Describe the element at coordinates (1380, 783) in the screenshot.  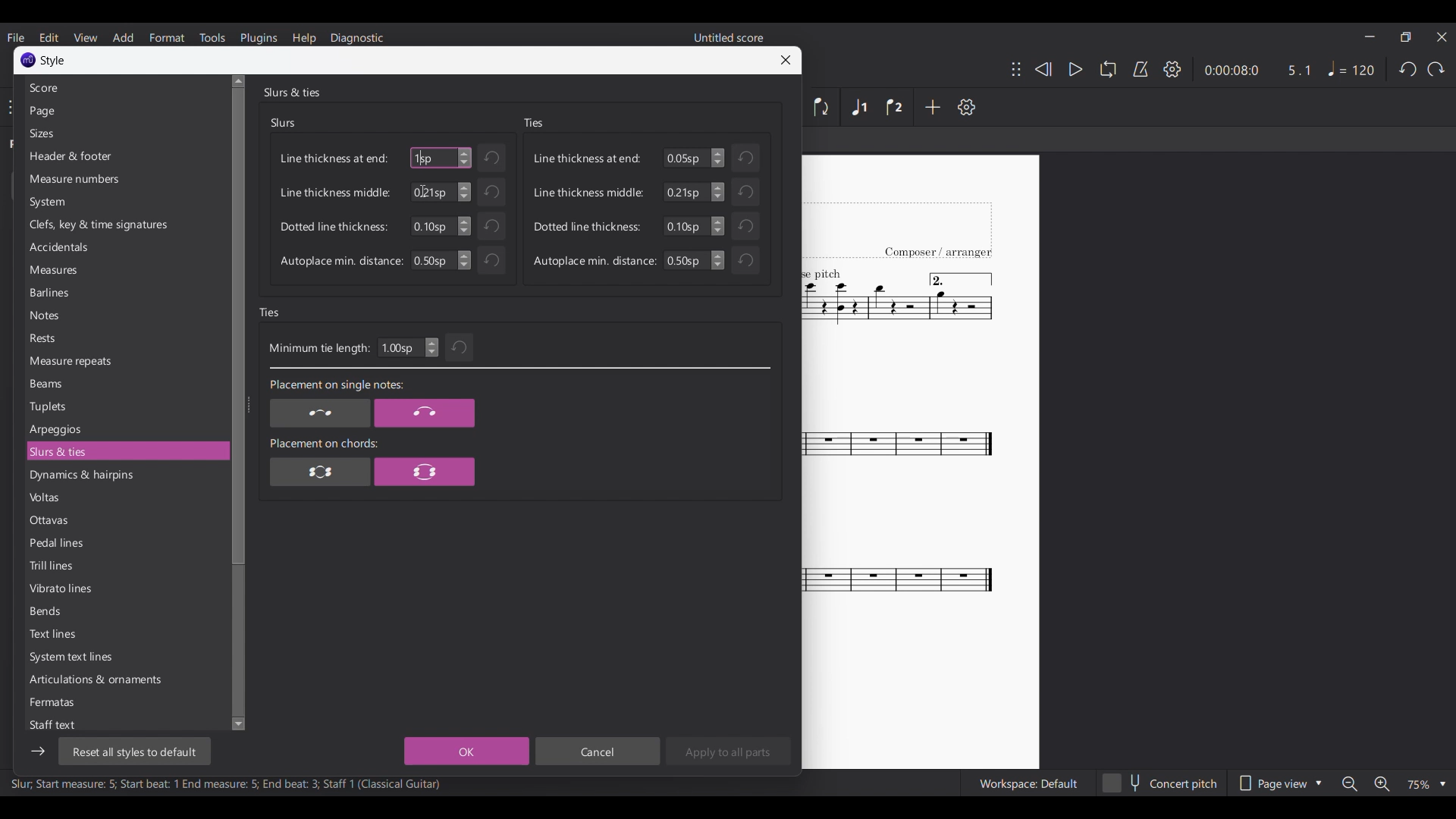
I see `Zoom in` at that location.